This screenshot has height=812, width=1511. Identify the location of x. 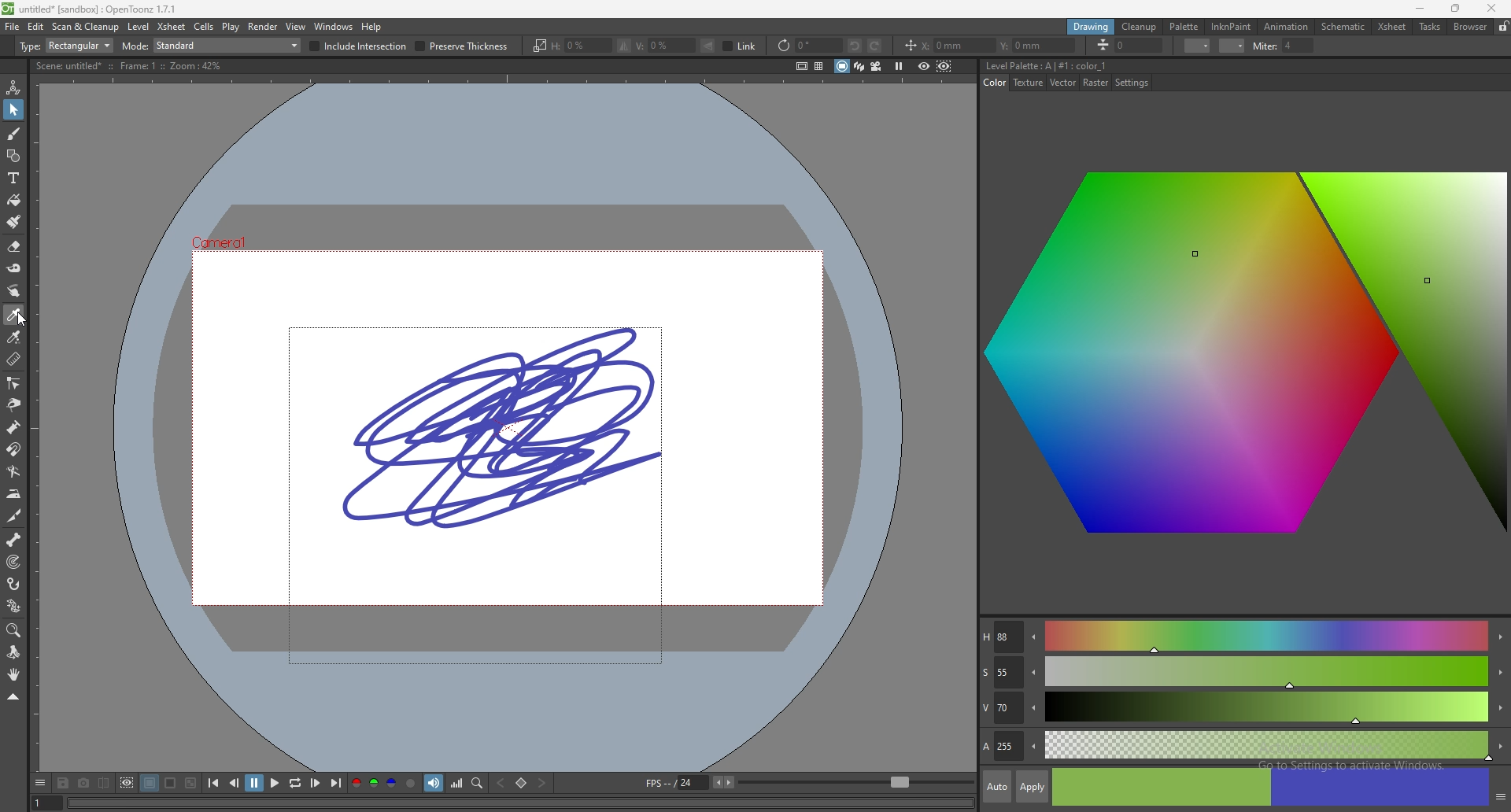
(960, 46).